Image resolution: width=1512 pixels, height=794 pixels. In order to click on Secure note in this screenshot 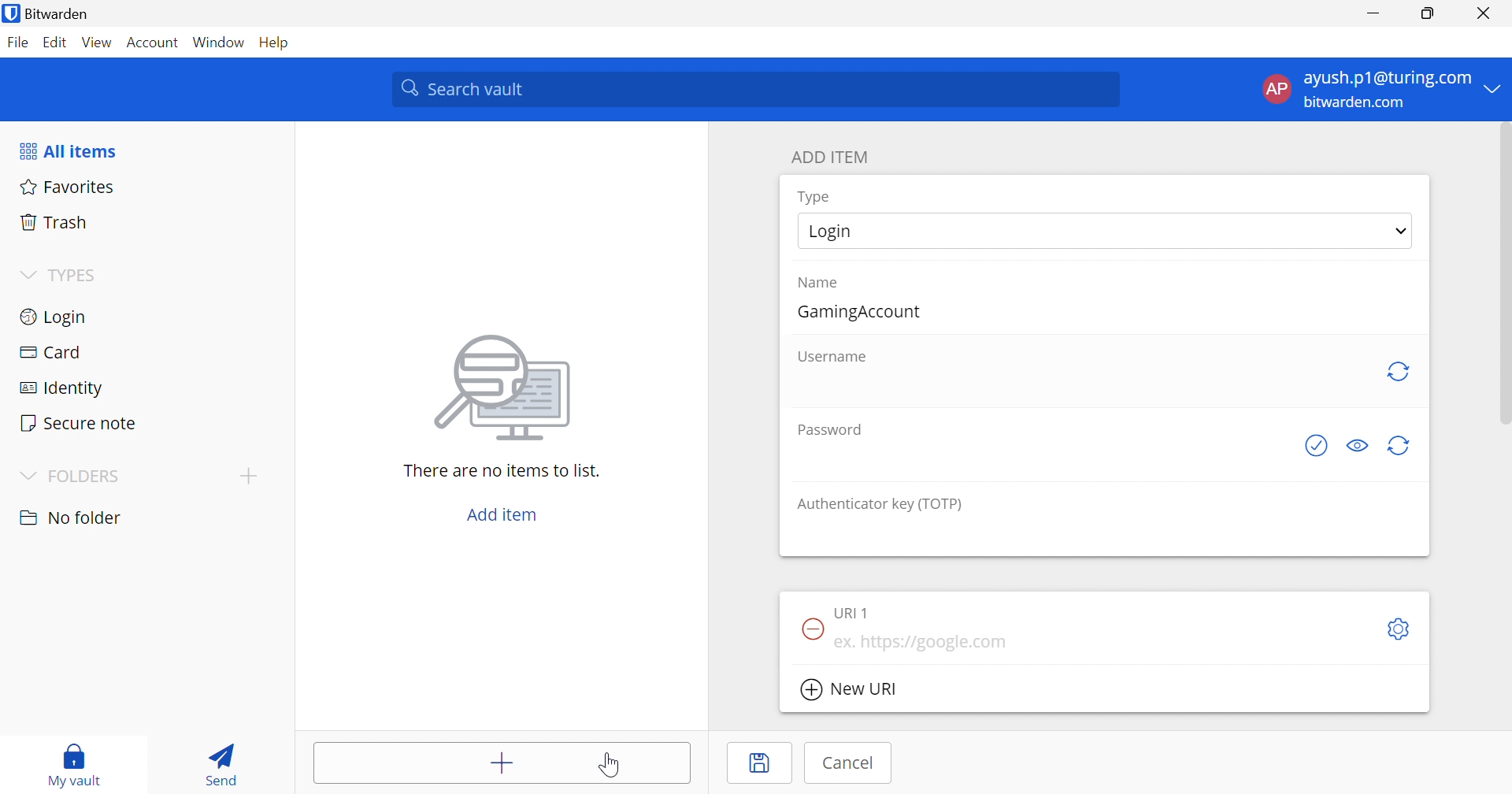, I will do `click(80, 421)`.